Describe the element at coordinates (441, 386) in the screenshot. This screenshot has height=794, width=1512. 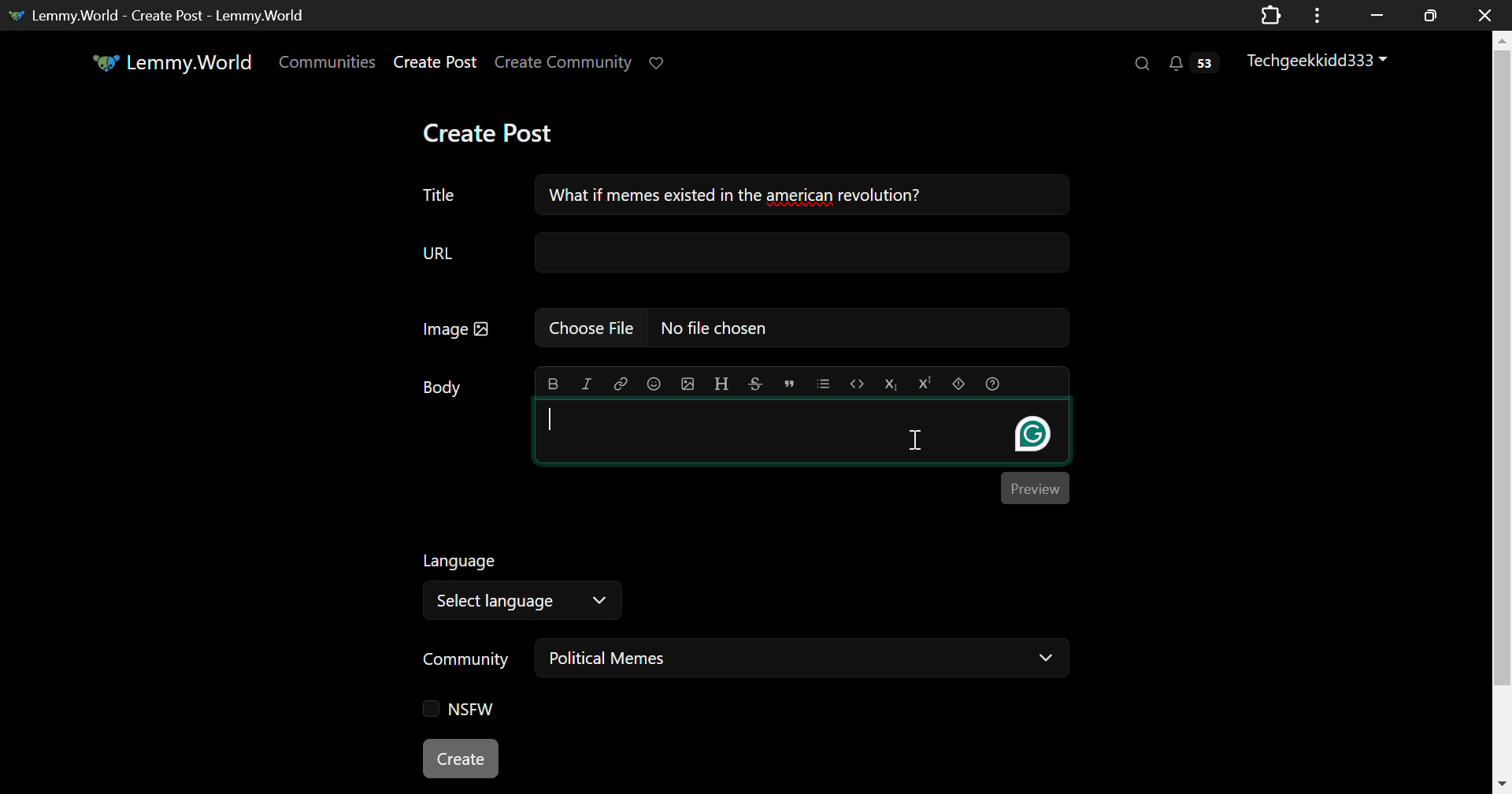
I see `Body` at that location.